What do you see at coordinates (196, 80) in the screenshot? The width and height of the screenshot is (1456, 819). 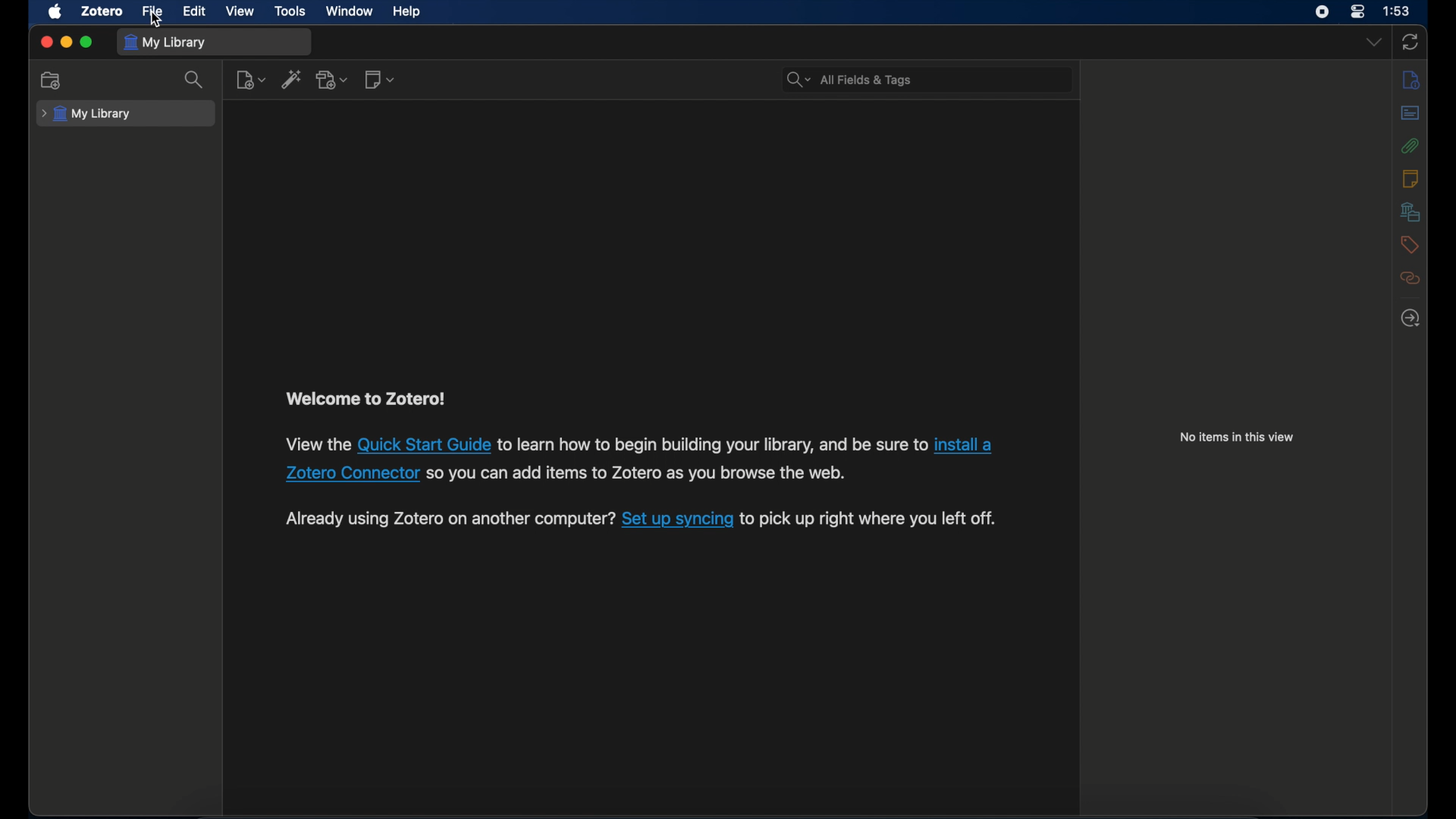 I see `search` at bounding box center [196, 80].